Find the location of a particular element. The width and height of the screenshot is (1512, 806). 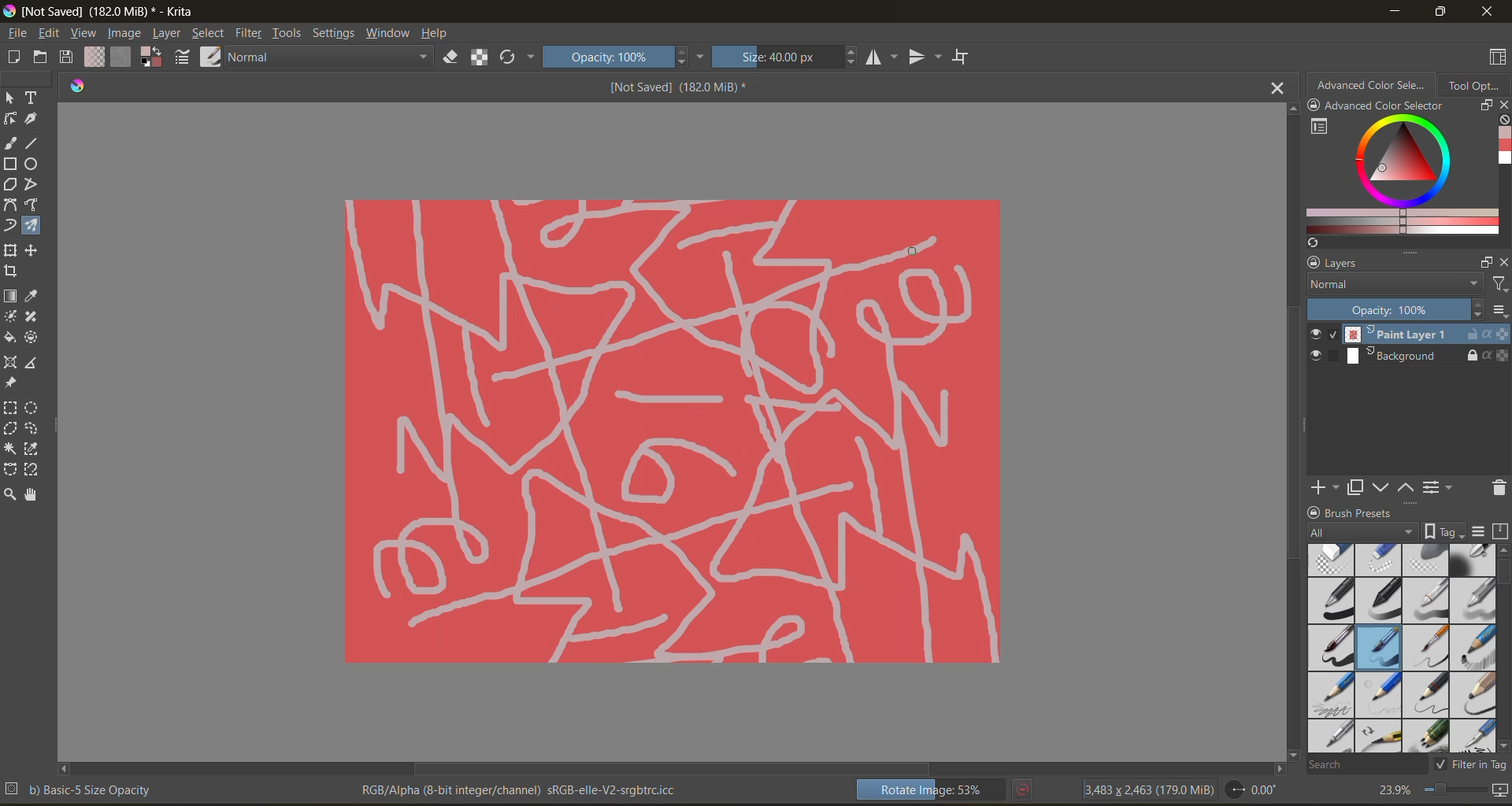

opacity is located at coordinates (628, 55).